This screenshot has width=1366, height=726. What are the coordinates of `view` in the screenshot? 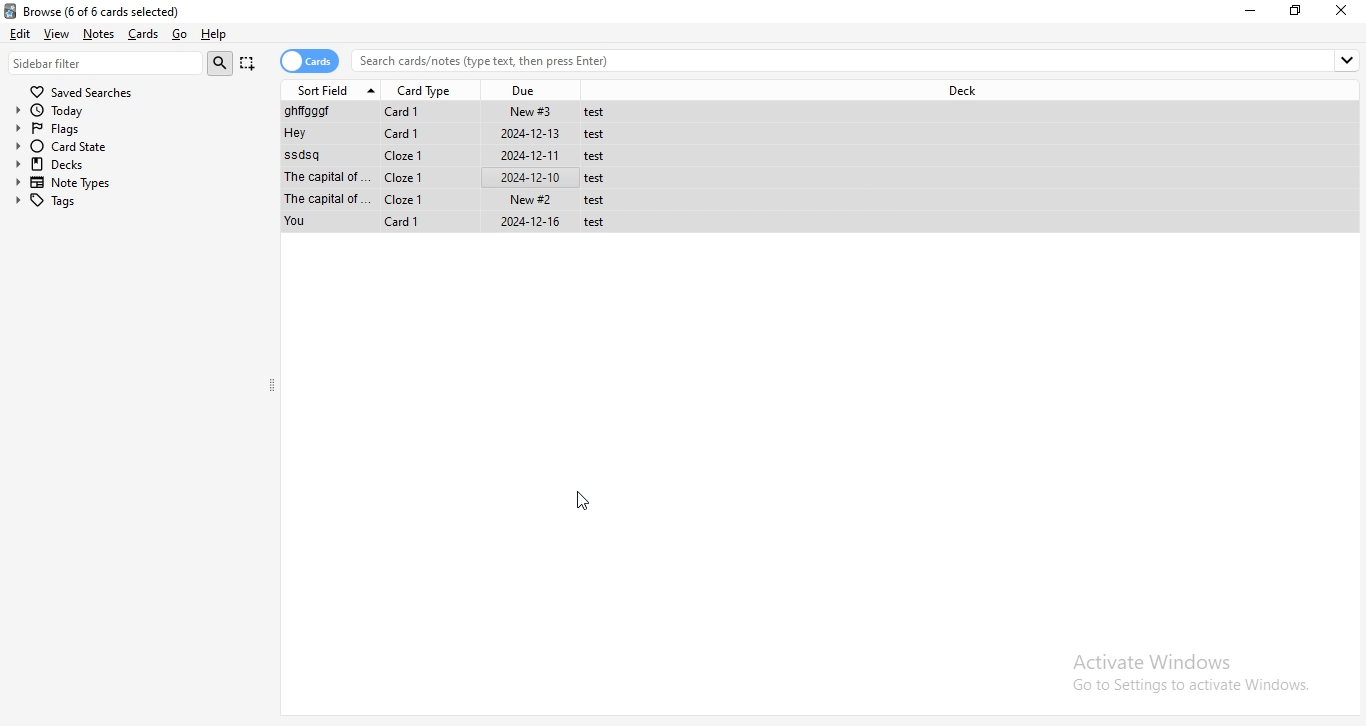 It's located at (58, 33).